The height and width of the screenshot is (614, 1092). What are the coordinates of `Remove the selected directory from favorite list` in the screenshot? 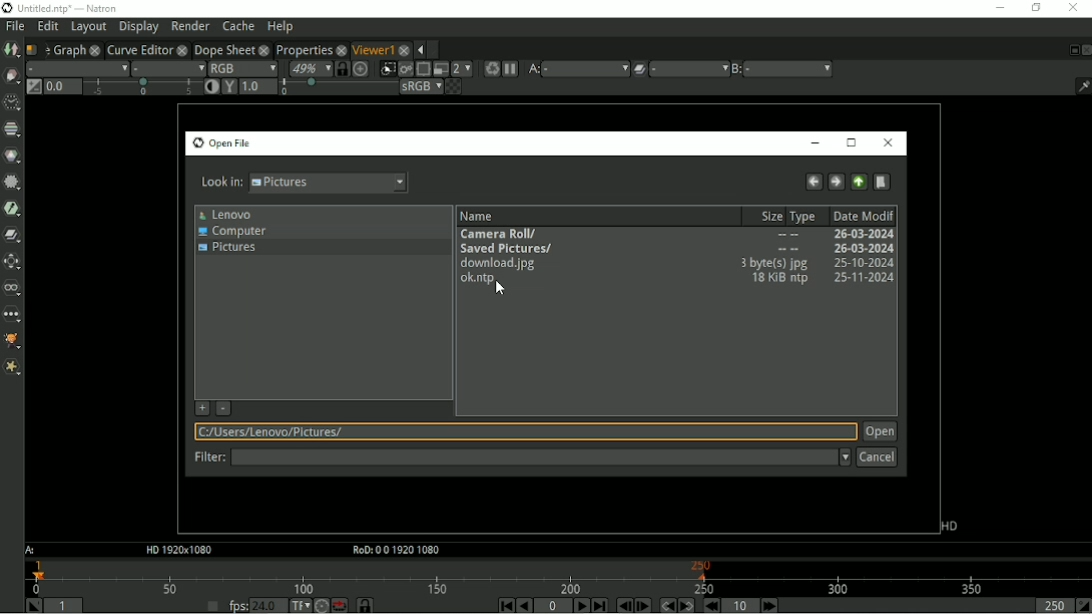 It's located at (224, 408).